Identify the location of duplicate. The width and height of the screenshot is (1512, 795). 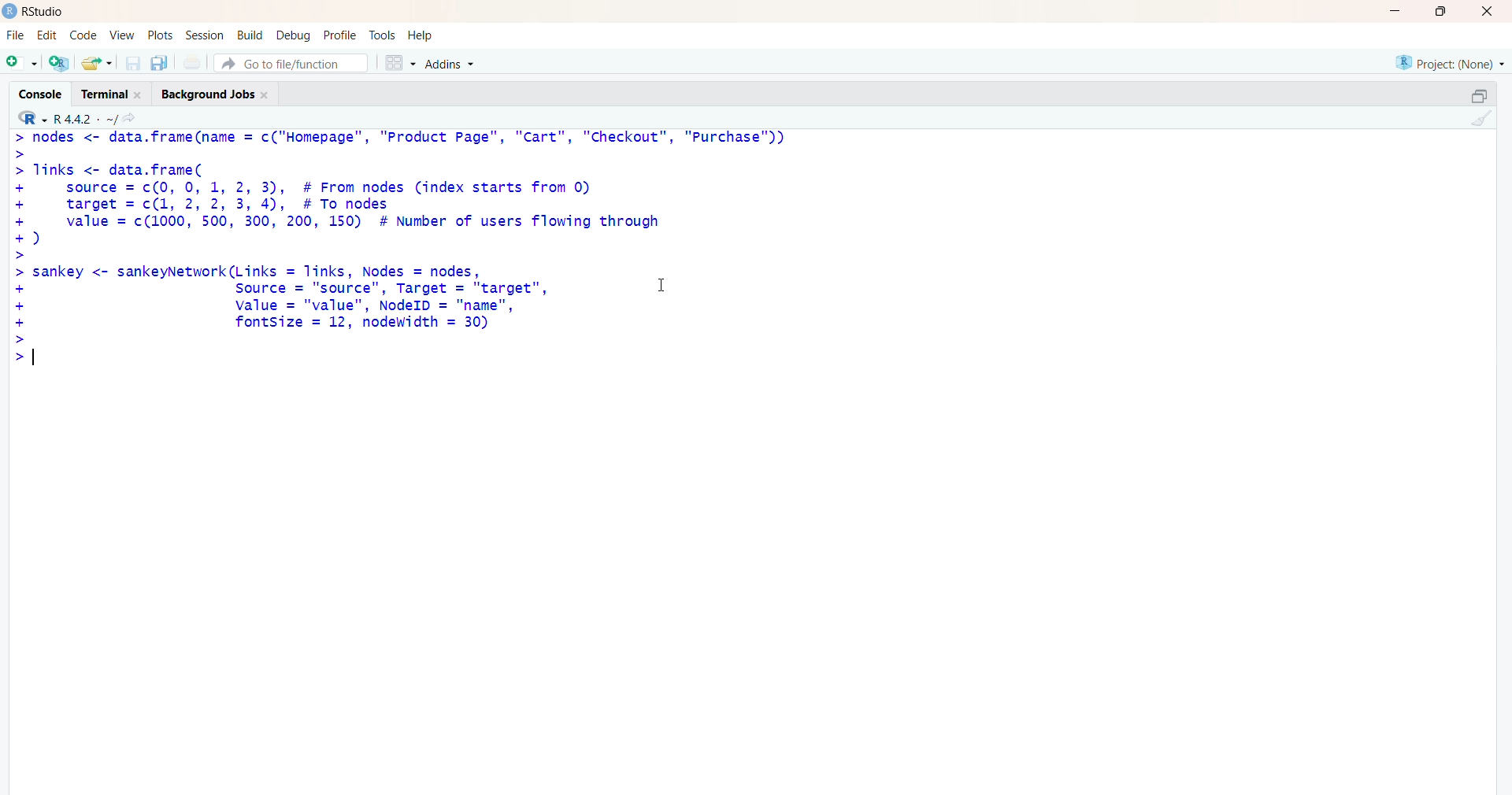
(161, 63).